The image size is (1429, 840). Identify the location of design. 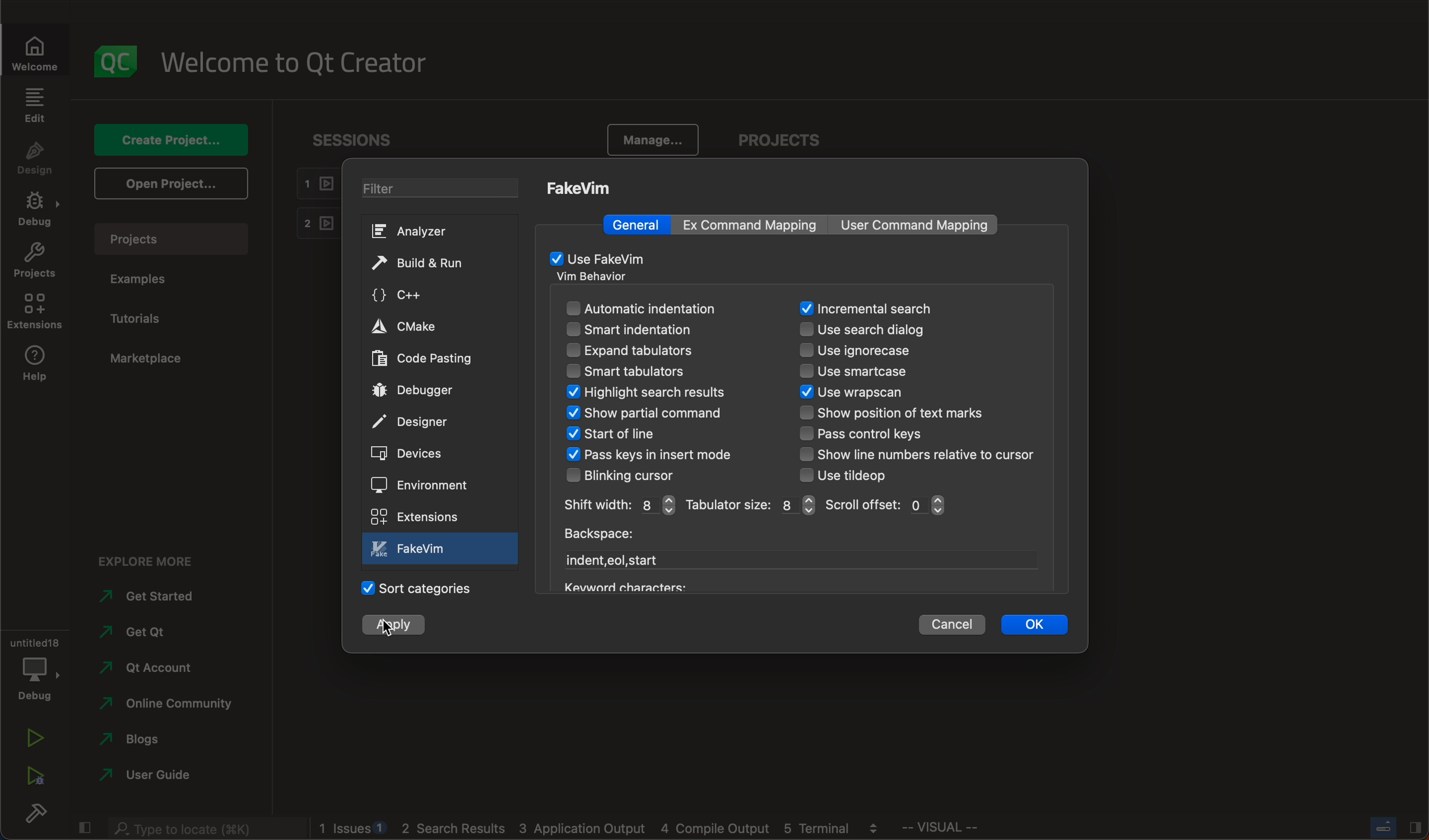
(38, 158).